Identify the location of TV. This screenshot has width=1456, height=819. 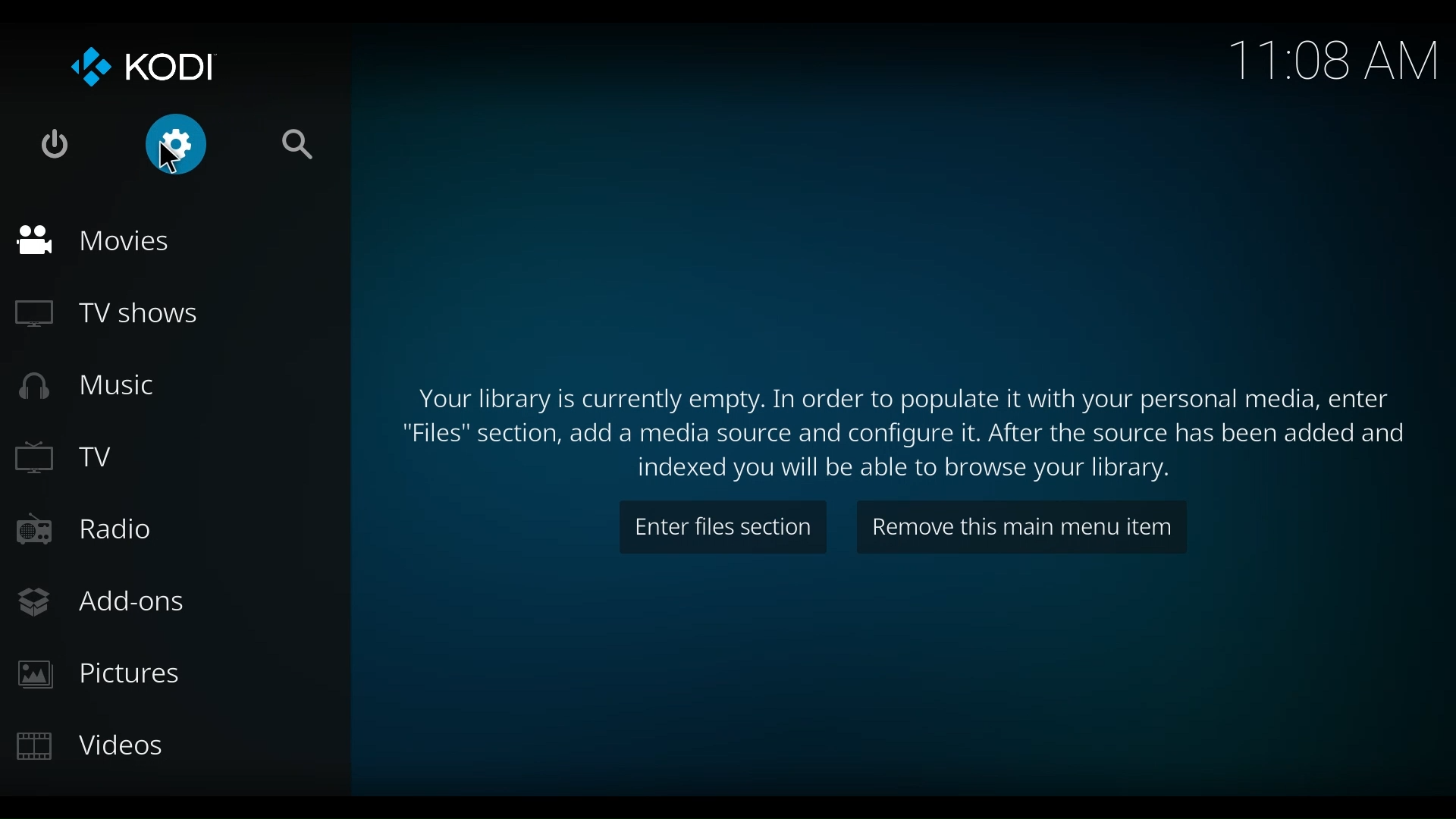
(71, 458).